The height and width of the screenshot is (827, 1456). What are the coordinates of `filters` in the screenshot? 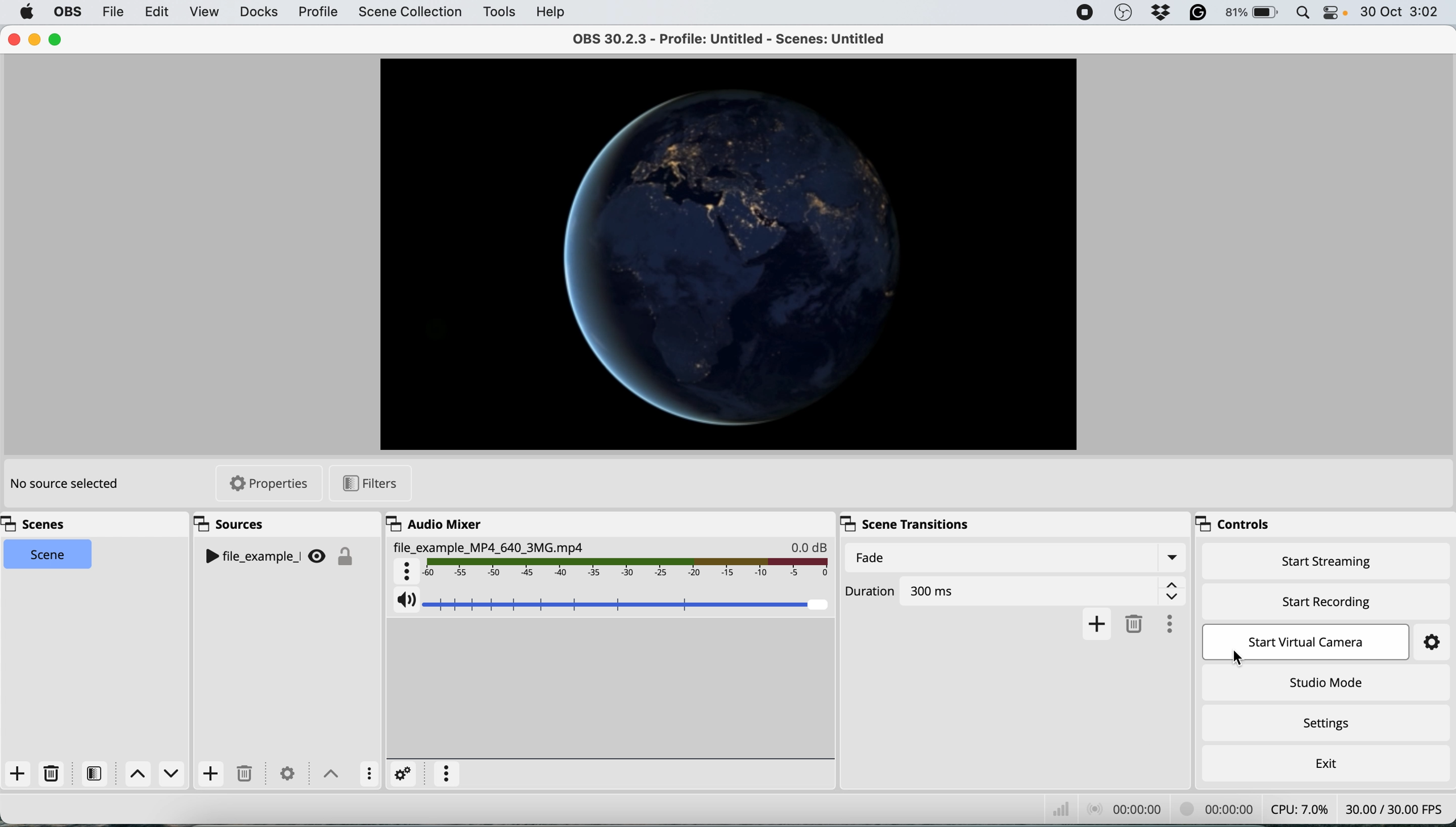 It's located at (365, 482).